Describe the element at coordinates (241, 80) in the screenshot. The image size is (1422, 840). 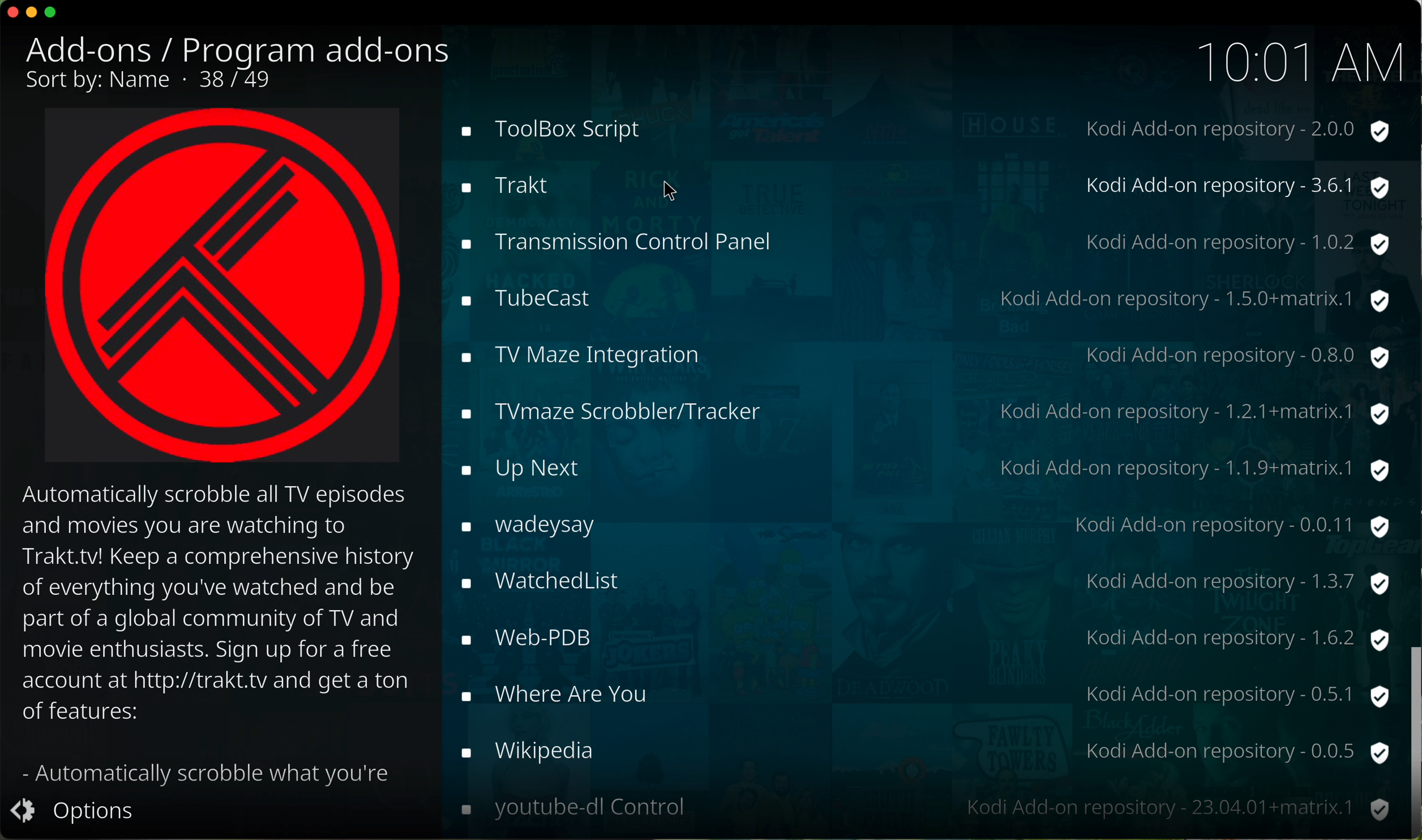
I see `37/49` at that location.